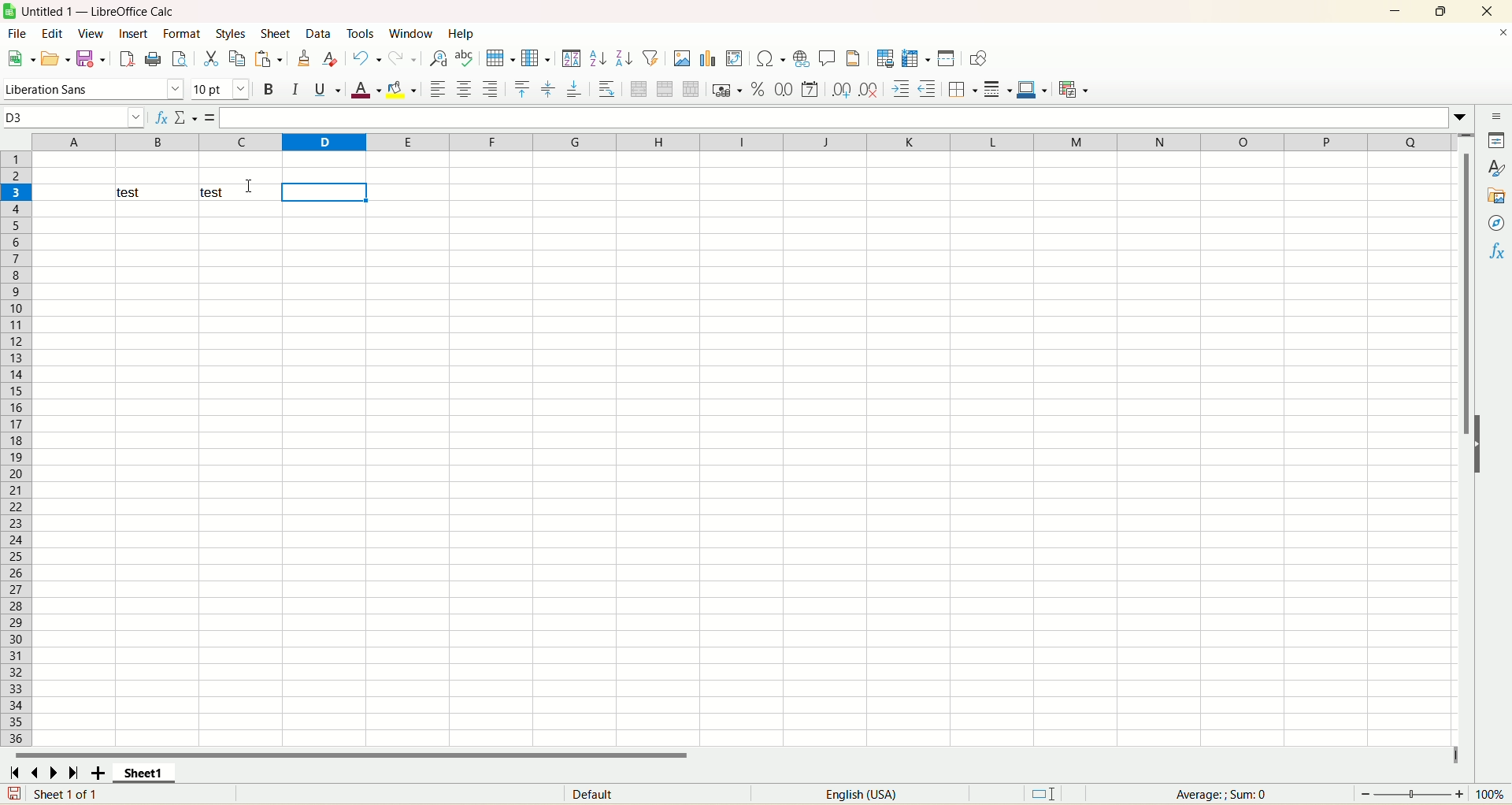 This screenshot has width=1512, height=805. What do you see at coordinates (464, 89) in the screenshot?
I see `align center` at bounding box center [464, 89].